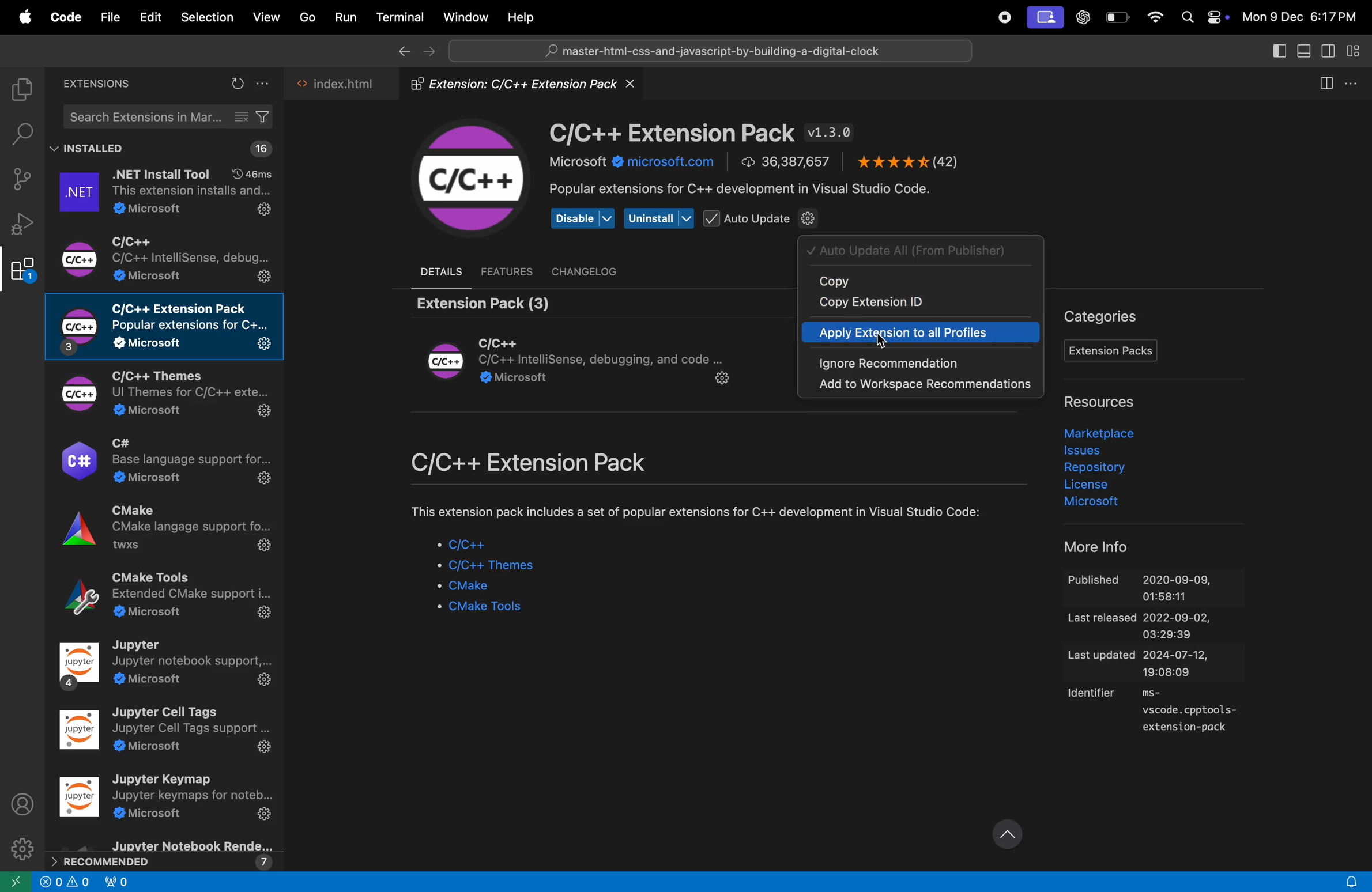 The height and width of the screenshot is (892, 1372). I want to click on record, so click(998, 17).